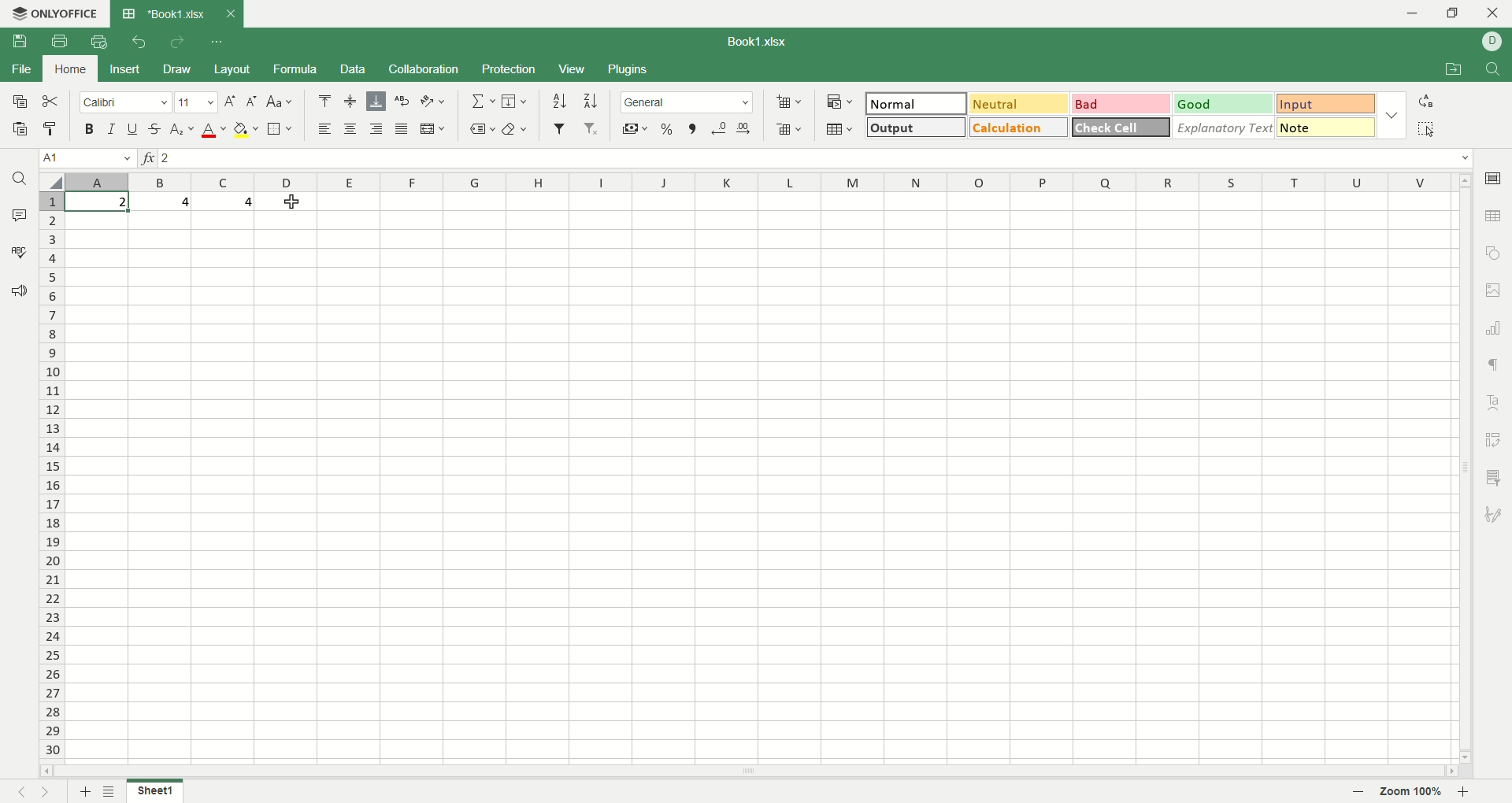  What do you see at coordinates (1492, 516) in the screenshot?
I see `signature settings` at bounding box center [1492, 516].